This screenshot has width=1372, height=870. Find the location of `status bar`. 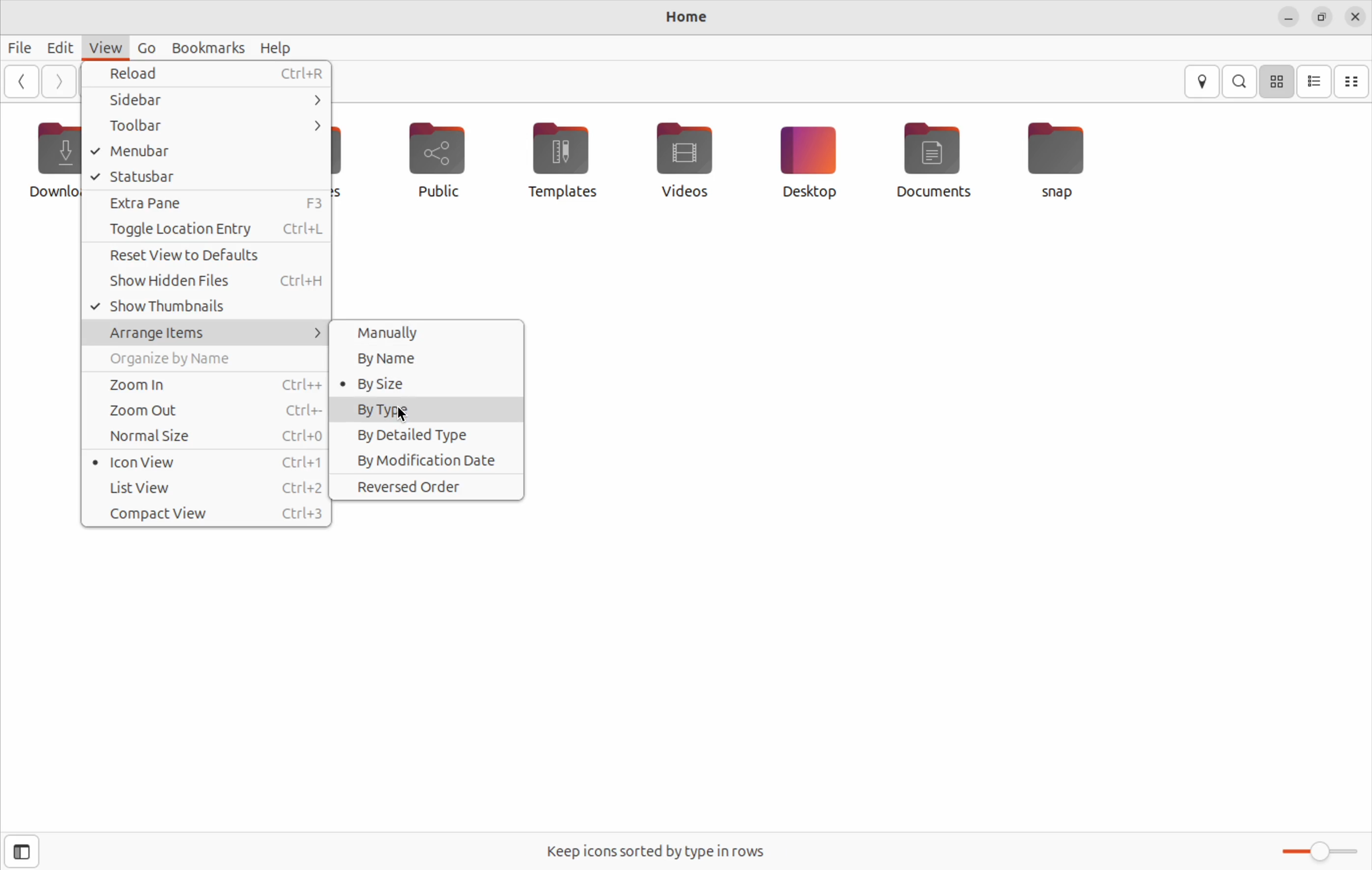

status bar is located at coordinates (207, 175).